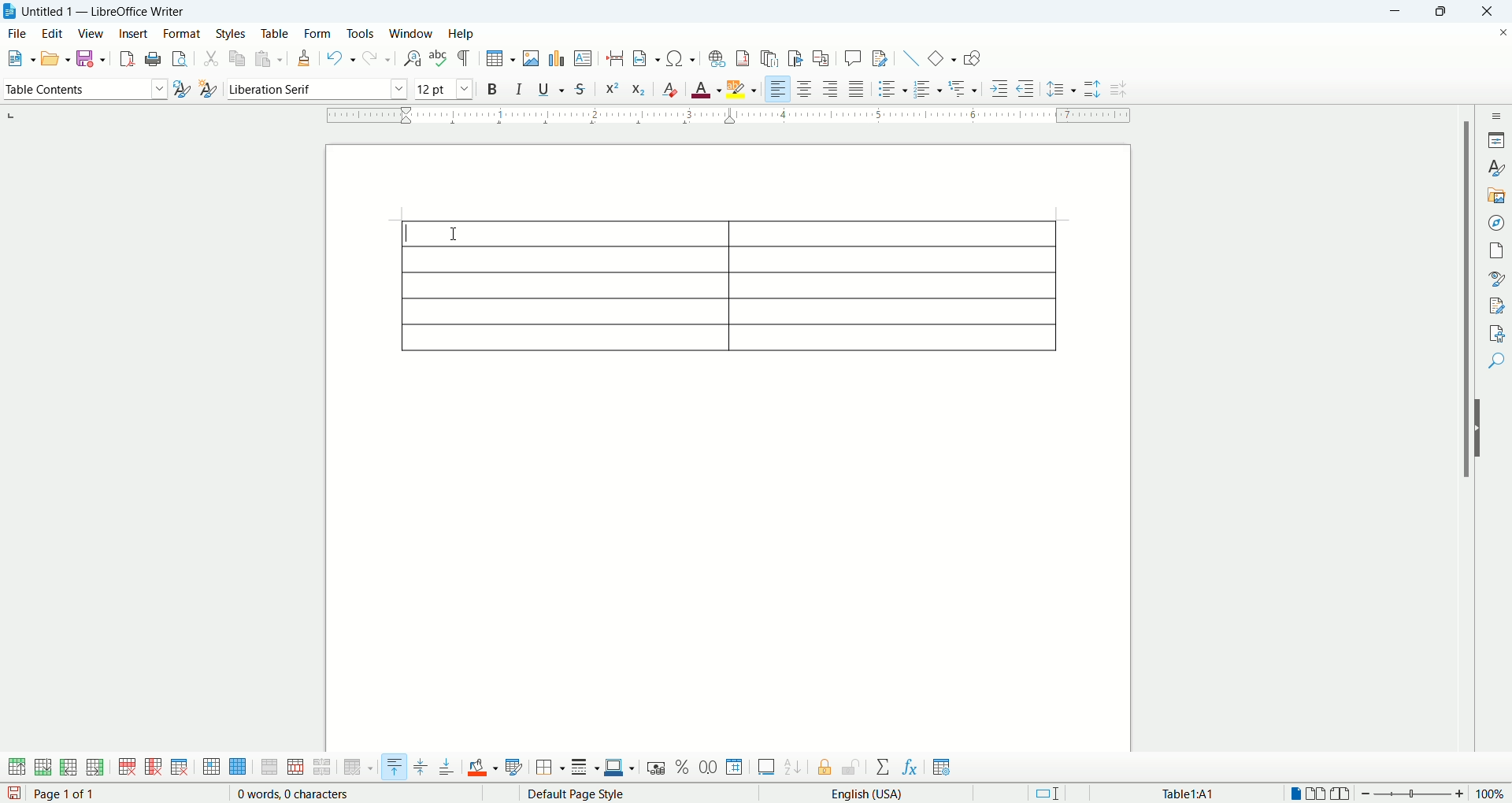 This screenshot has width=1512, height=803. I want to click on align right, so click(777, 87).